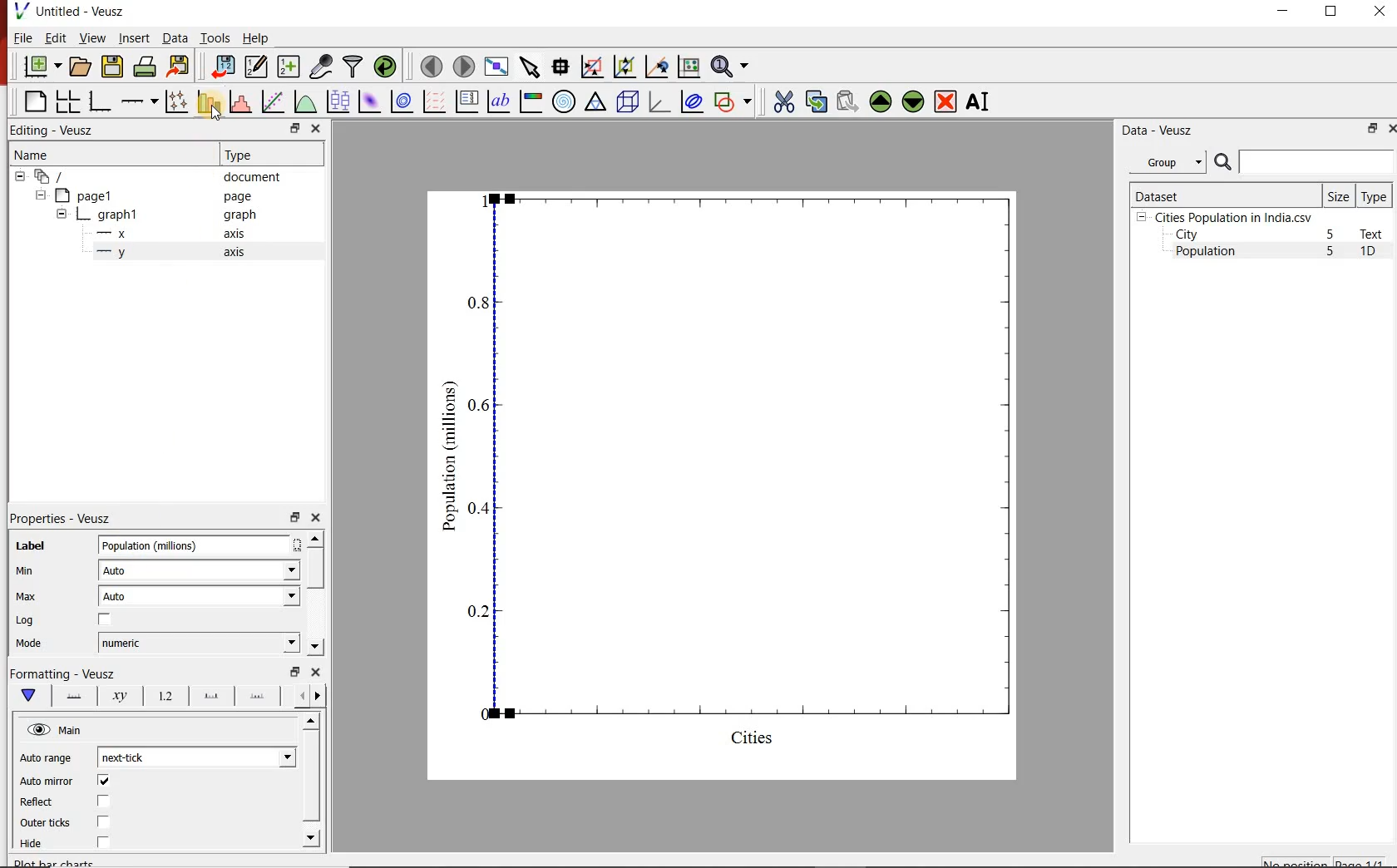  What do you see at coordinates (89, 37) in the screenshot?
I see `View` at bounding box center [89, 37].